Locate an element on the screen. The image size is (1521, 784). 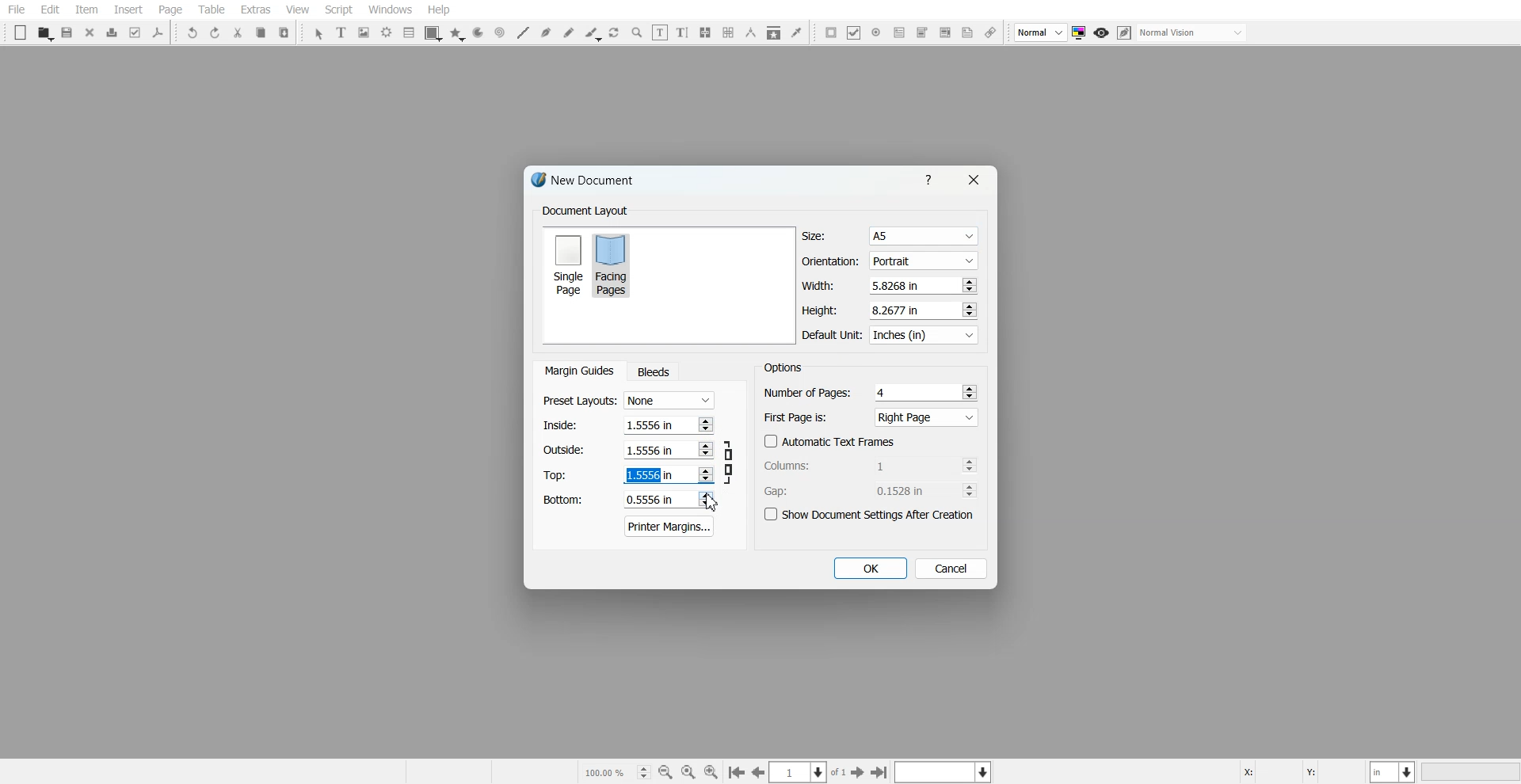
Copy is located at coordinates (260, 32).